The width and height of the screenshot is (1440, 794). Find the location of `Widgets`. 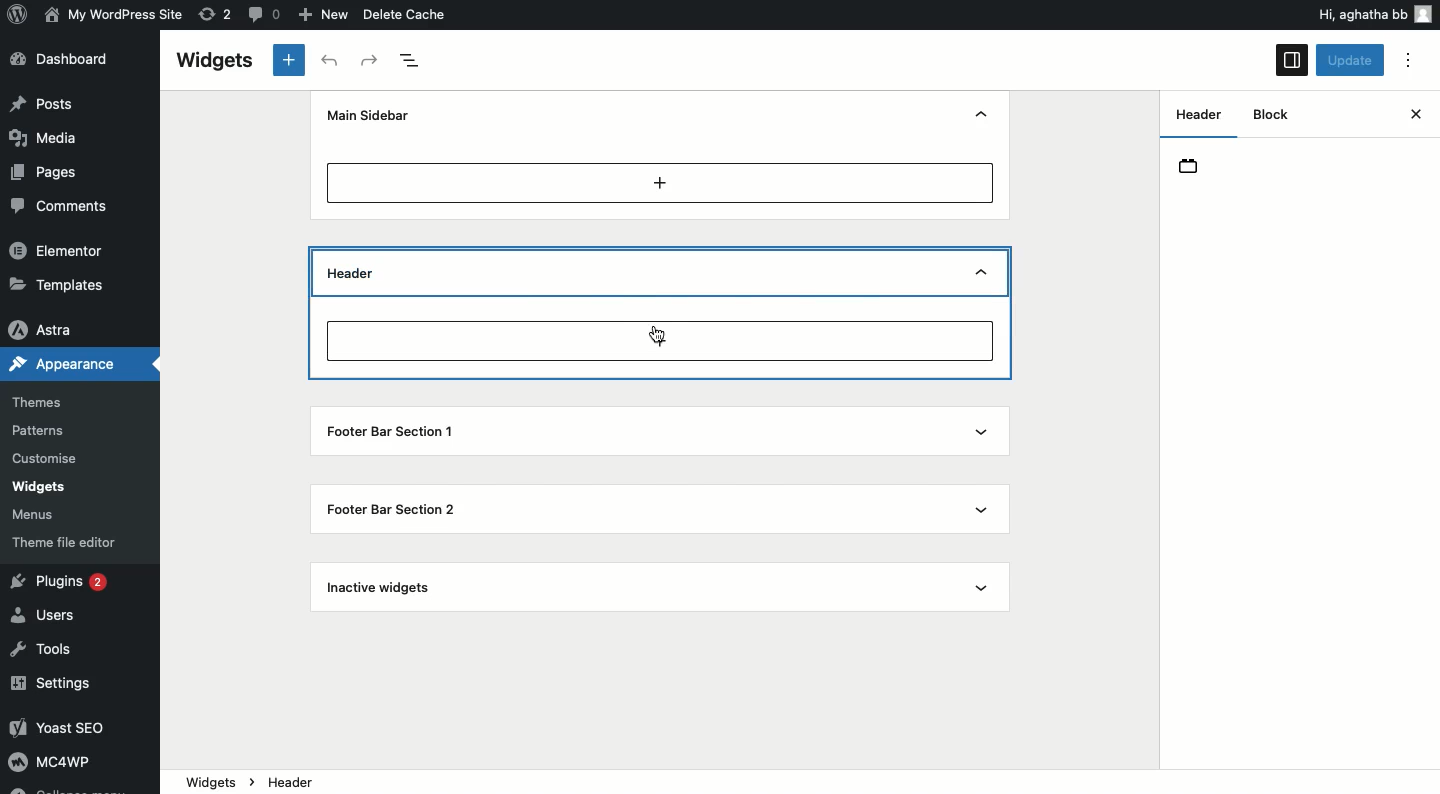

Widgets is located at coordinates (211, 780).